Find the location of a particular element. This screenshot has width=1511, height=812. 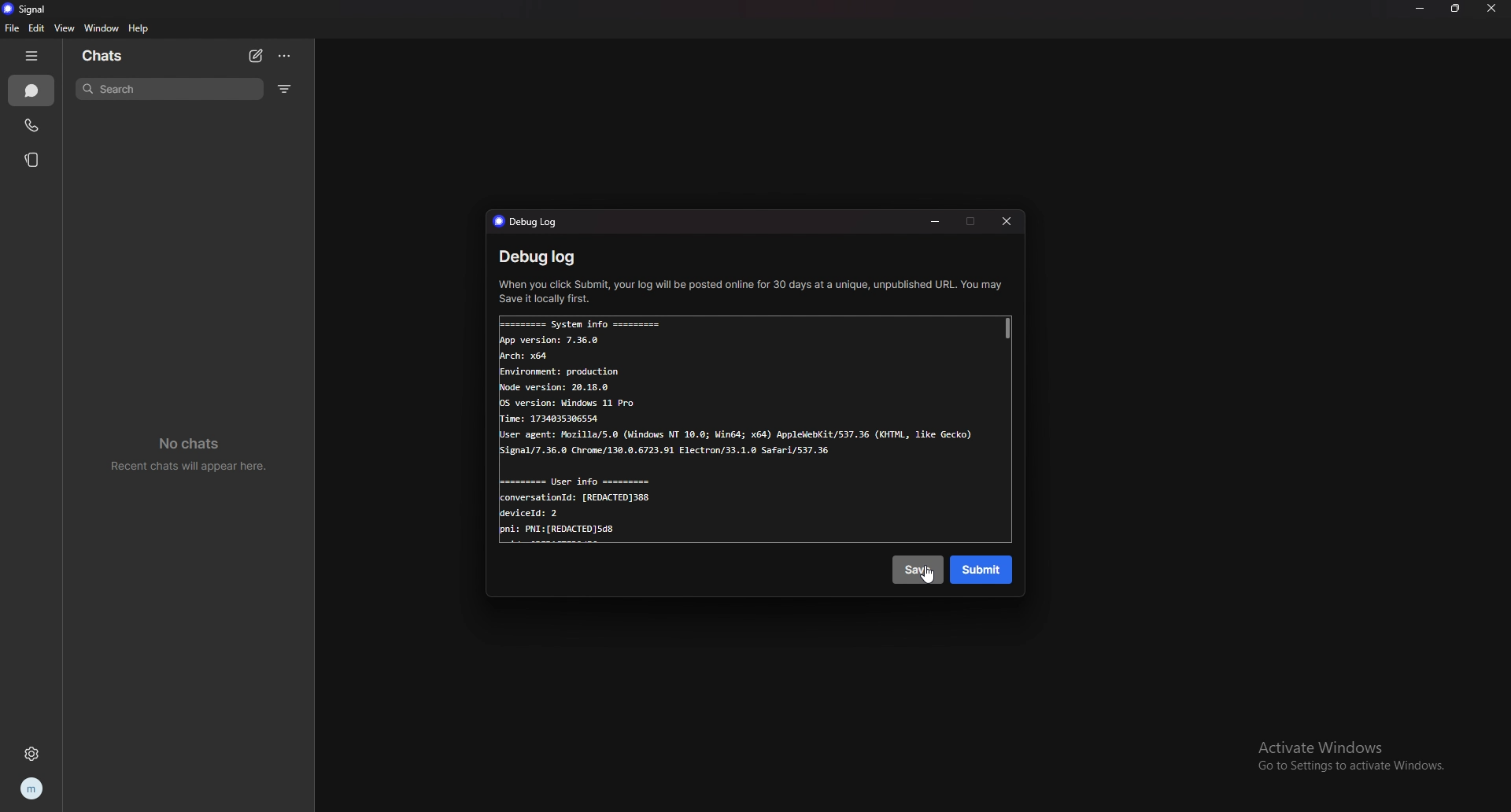

help is located at coordinates (139, 29).